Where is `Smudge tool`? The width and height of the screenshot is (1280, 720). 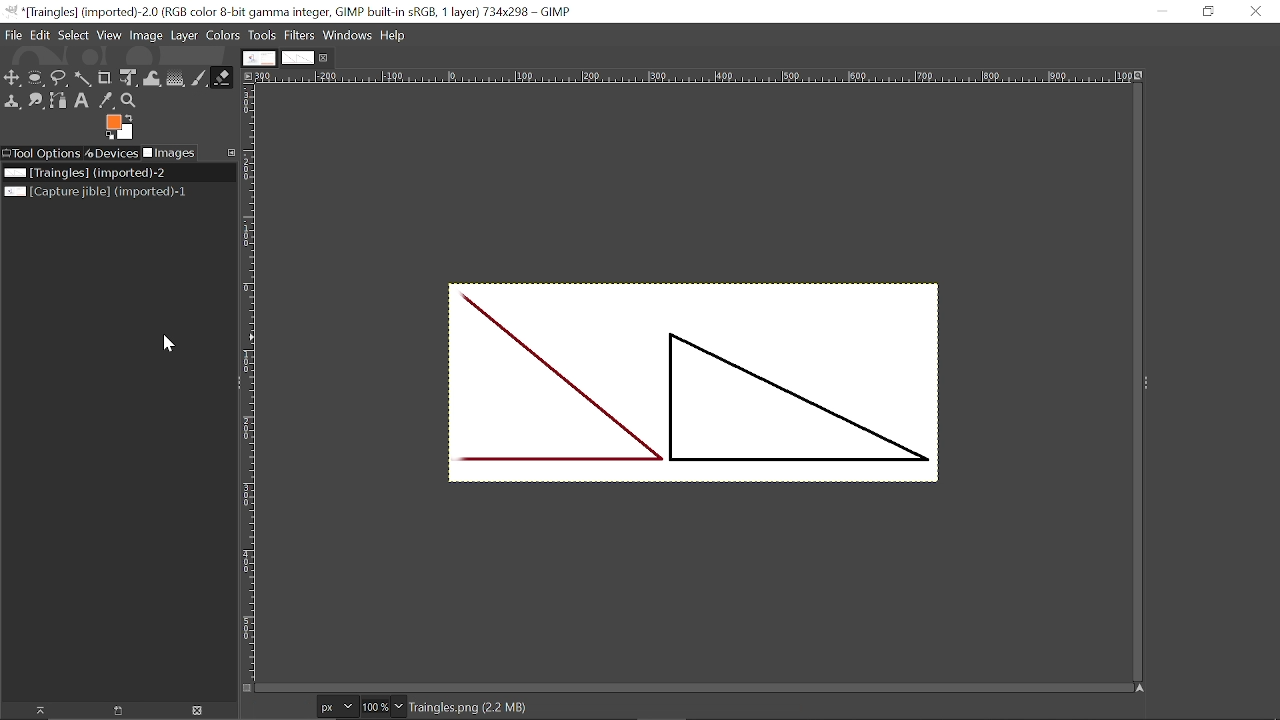 Smudge tool is located at coordinates (36, 101).